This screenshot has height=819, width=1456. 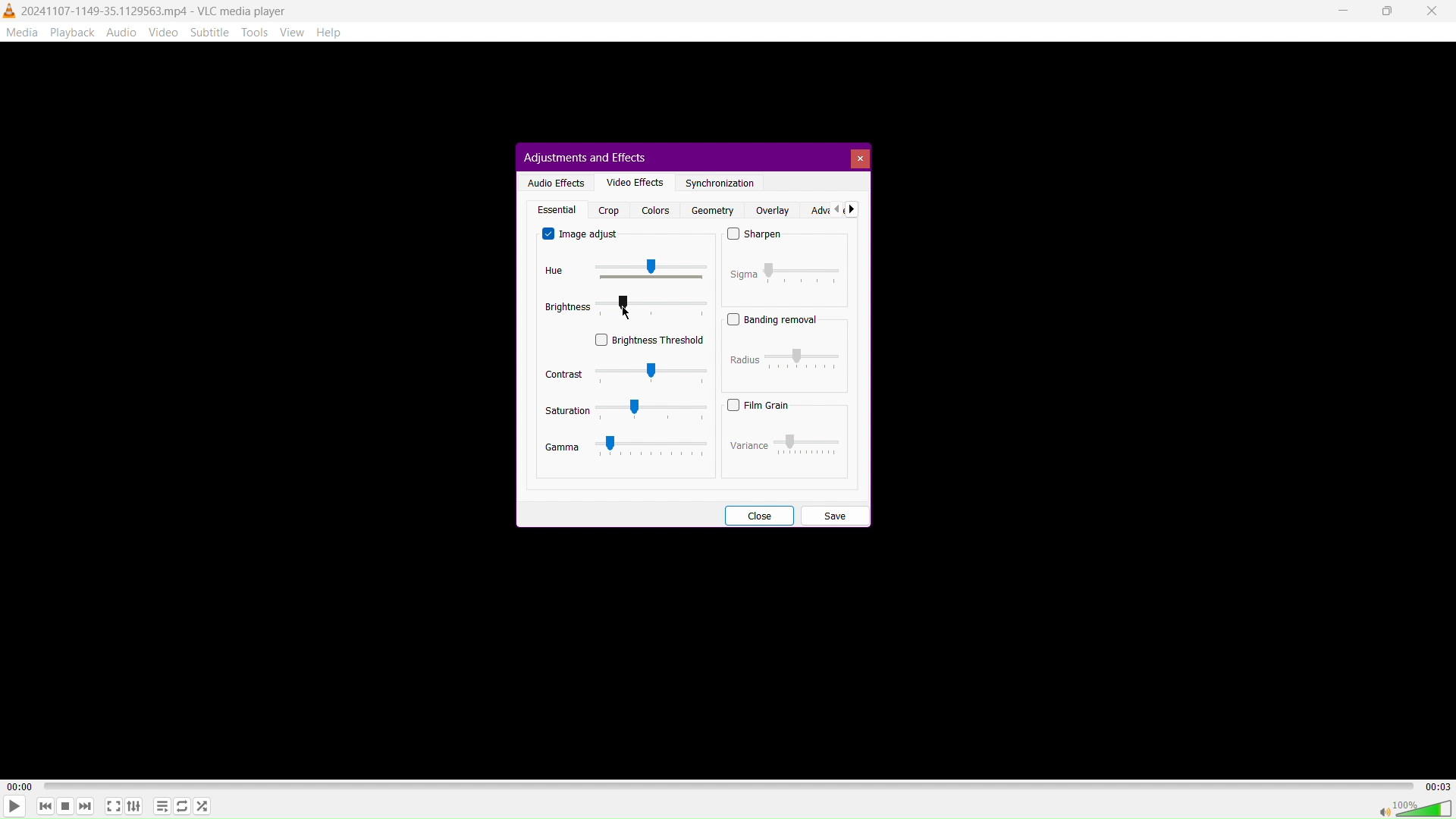 I want to click on Crop, so click(x=609, y=210).